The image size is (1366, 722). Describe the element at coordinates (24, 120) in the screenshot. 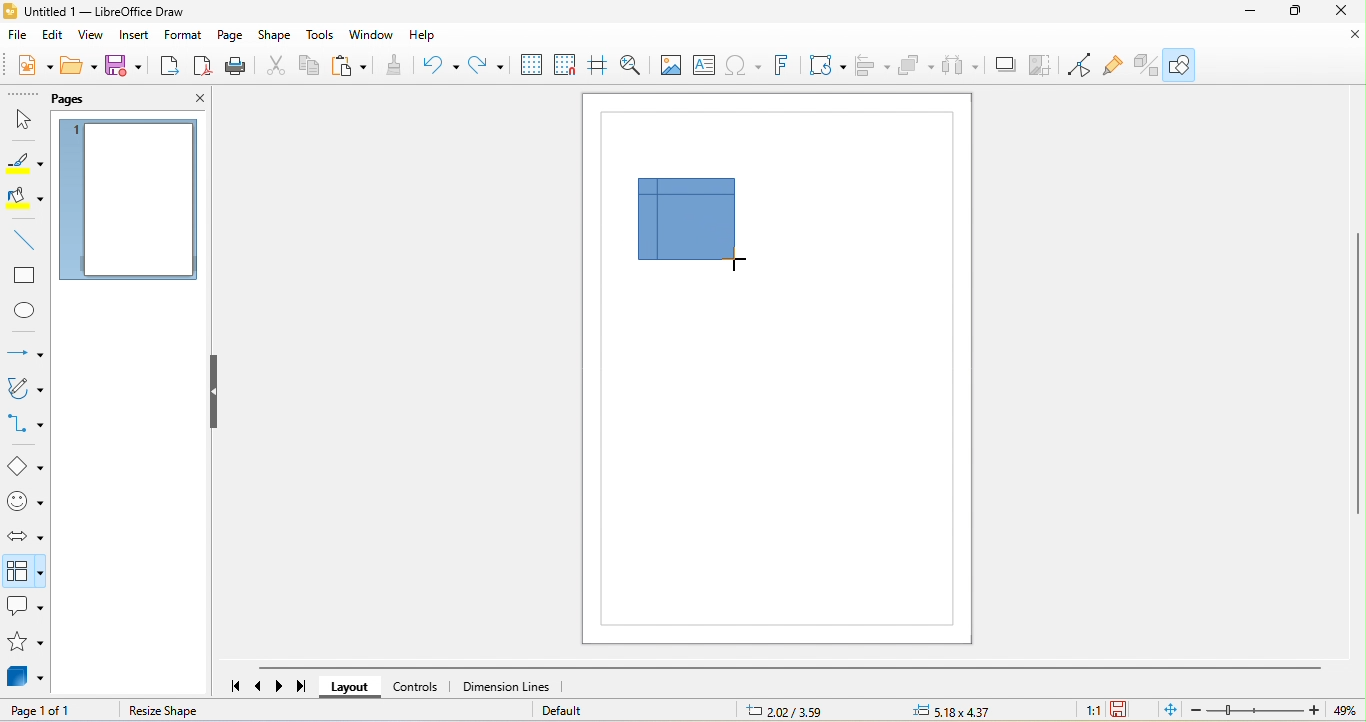

I see `select` at that location.